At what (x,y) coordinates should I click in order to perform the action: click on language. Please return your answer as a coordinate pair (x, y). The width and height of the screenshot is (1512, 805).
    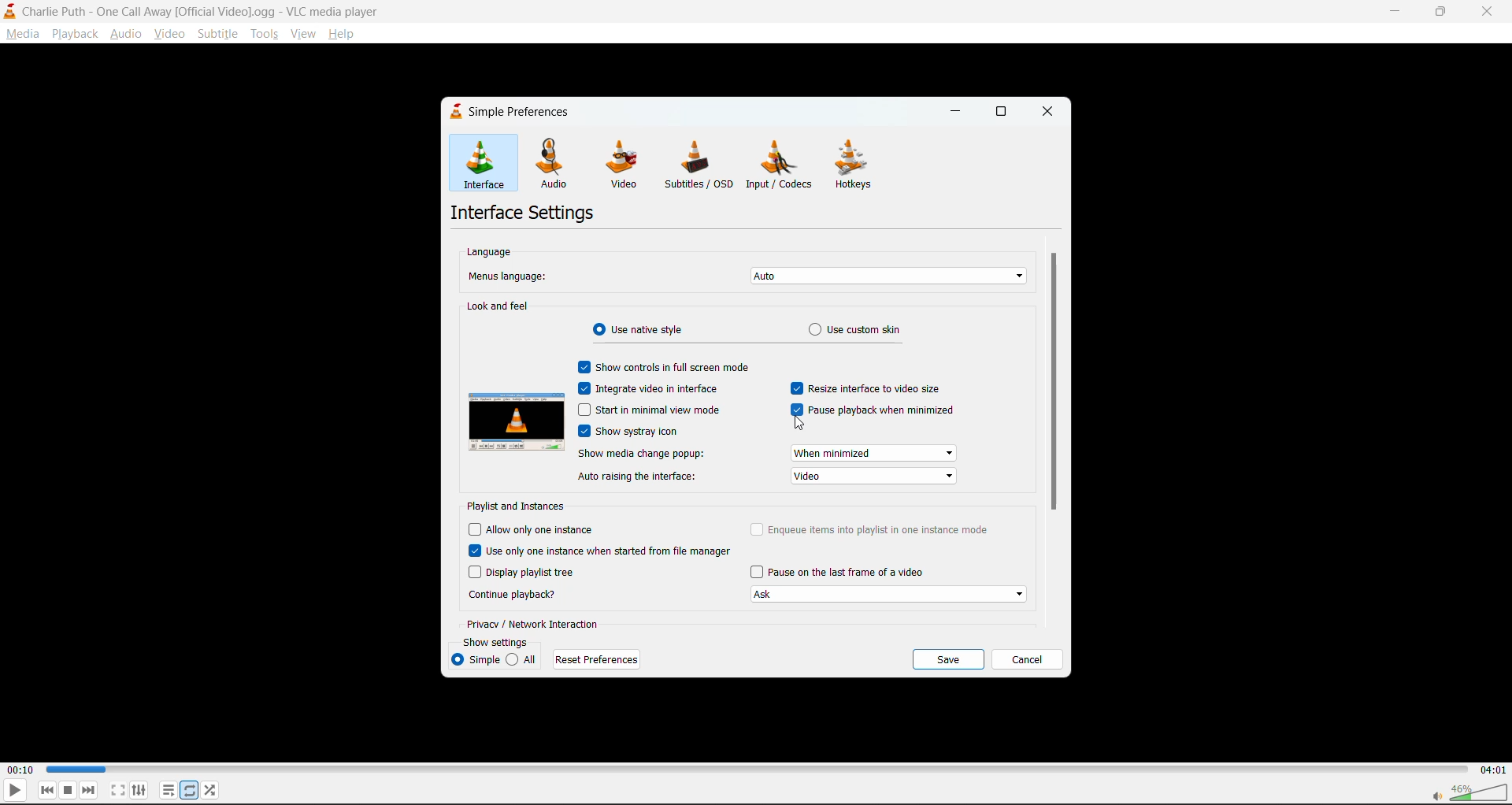
    Looking at the image, I should click on (491, 251).